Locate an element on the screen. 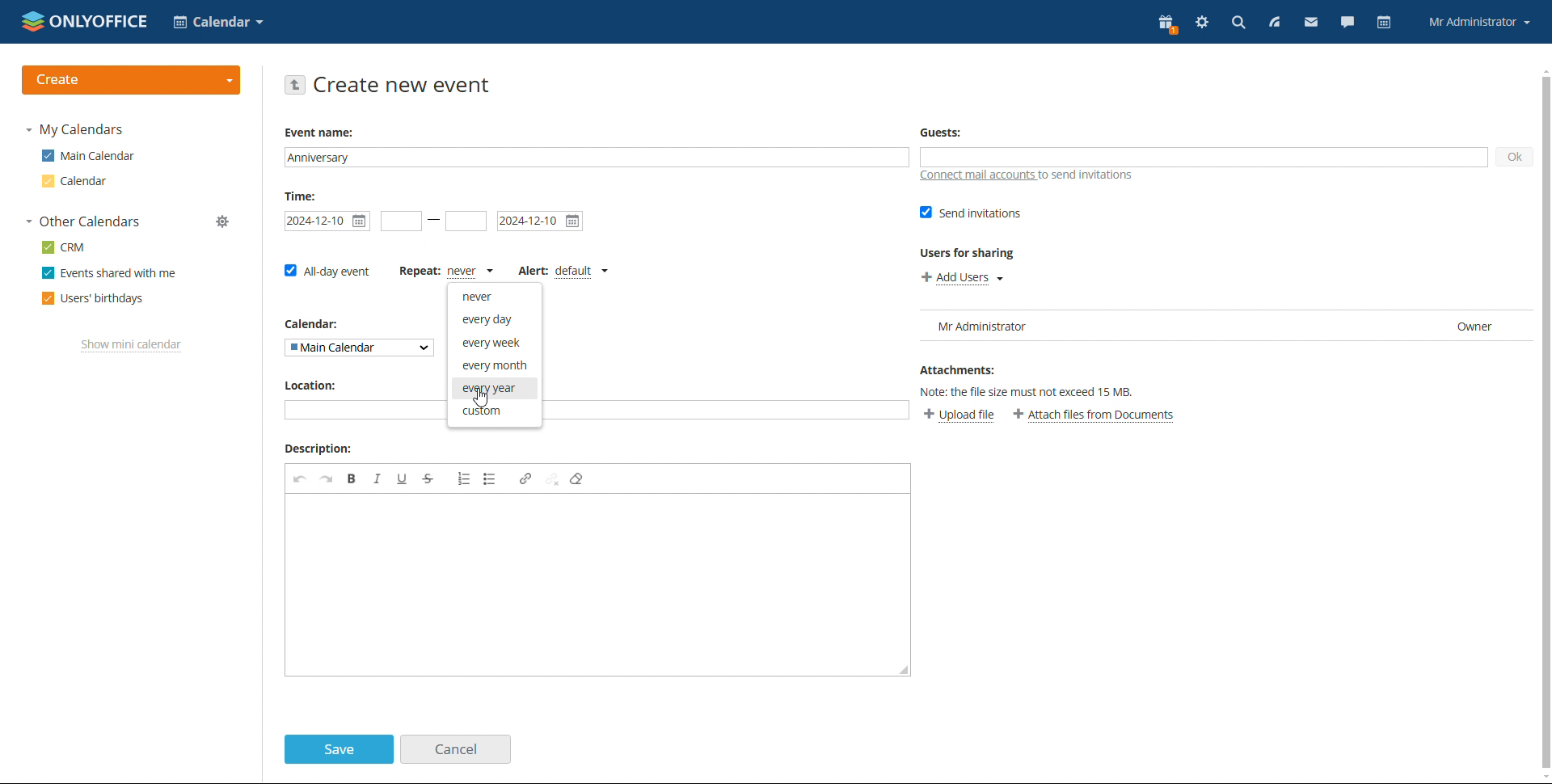 The width and height of the screenshot is (1552, 784). start date is located at coordinates (401, 221).